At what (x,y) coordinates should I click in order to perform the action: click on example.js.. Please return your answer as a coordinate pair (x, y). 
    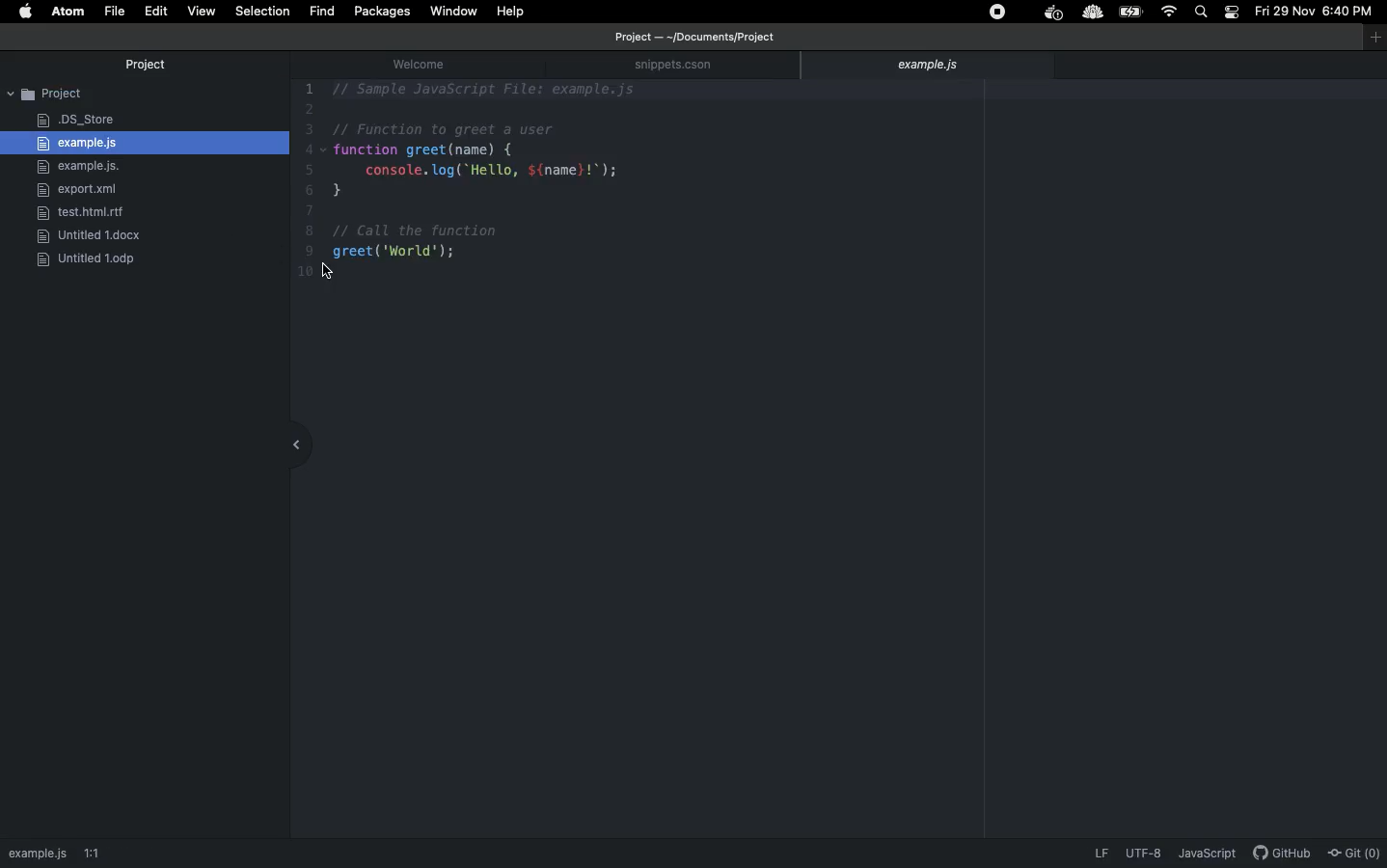
    Looking at the image, I should click on (81, 167).